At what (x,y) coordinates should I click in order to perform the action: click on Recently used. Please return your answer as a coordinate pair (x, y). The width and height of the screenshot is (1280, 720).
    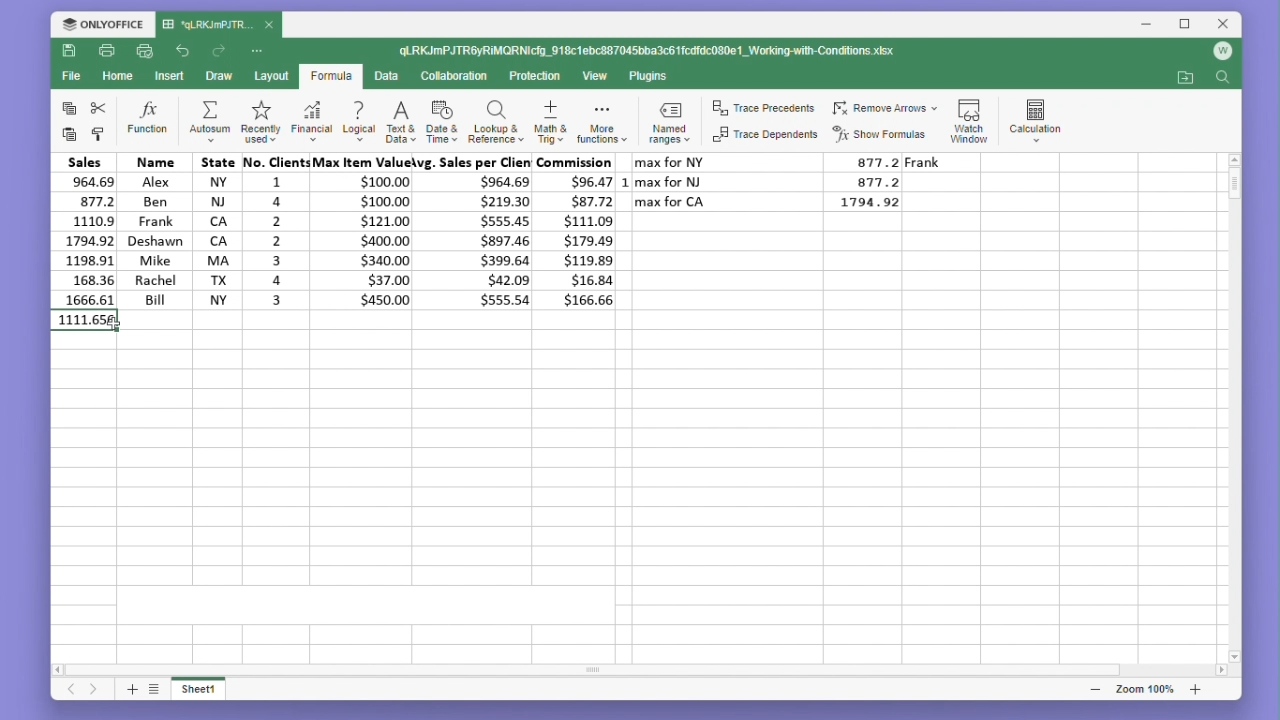
    Looking at the image, I should click on (258, 120).